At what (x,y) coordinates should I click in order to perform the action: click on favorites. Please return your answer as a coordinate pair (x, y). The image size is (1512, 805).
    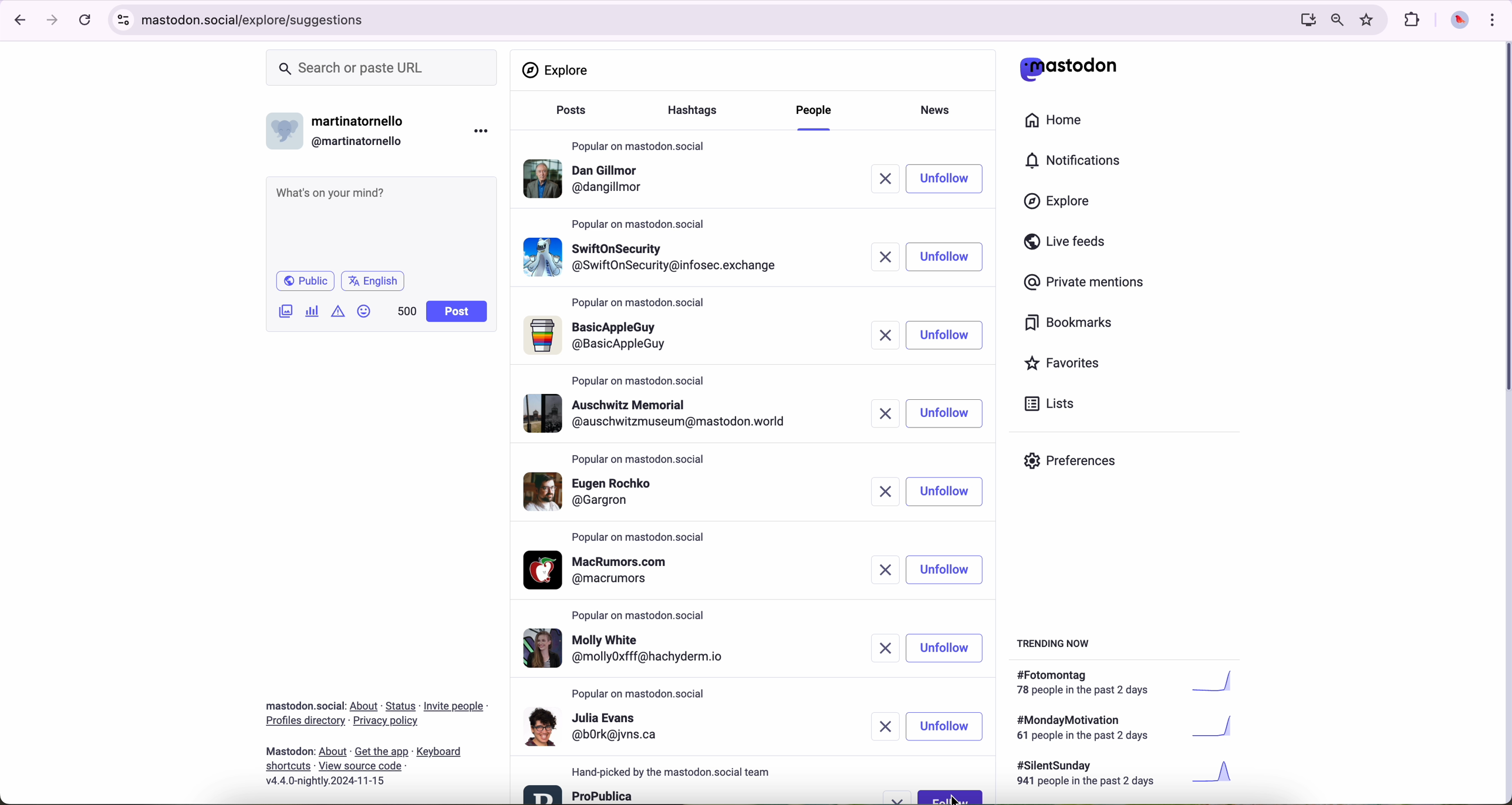
    Looking at the image, I should click on (1369, 20).